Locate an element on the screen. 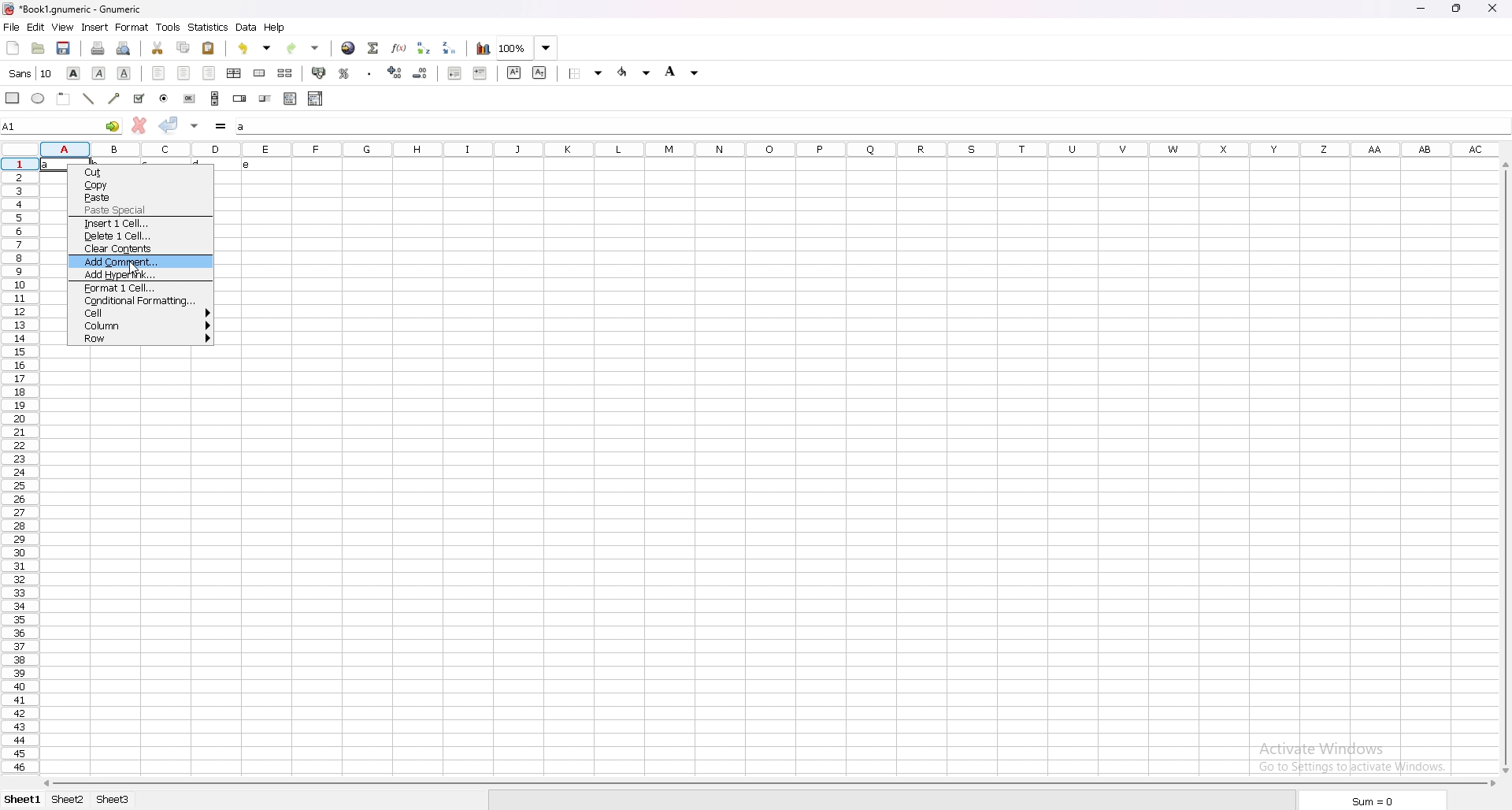 The width and height of the screenshot is (1512, 810). sort descending is located at coordinates (450, 48).